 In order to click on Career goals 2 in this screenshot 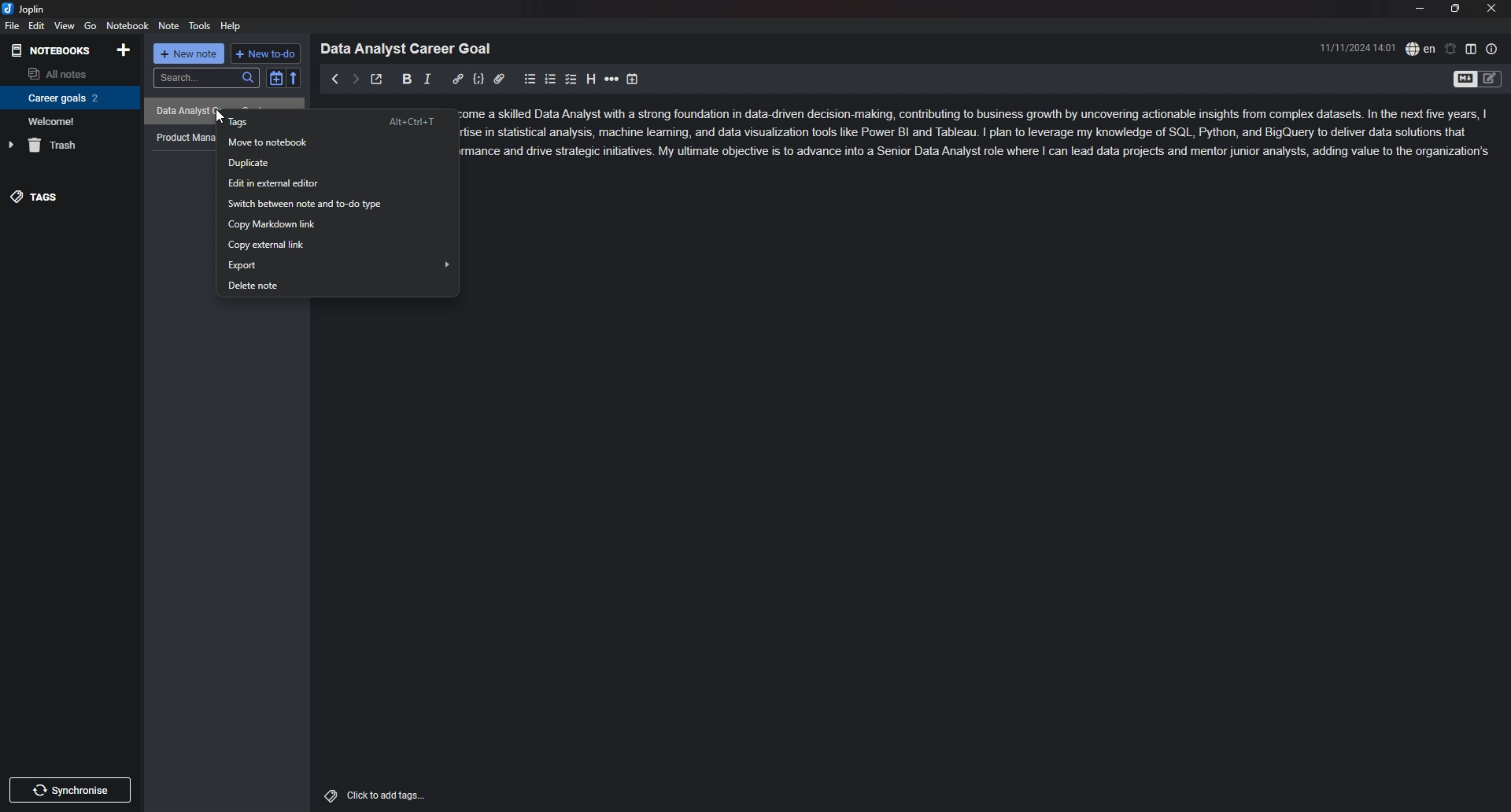, I will do `click(67, 98)`.